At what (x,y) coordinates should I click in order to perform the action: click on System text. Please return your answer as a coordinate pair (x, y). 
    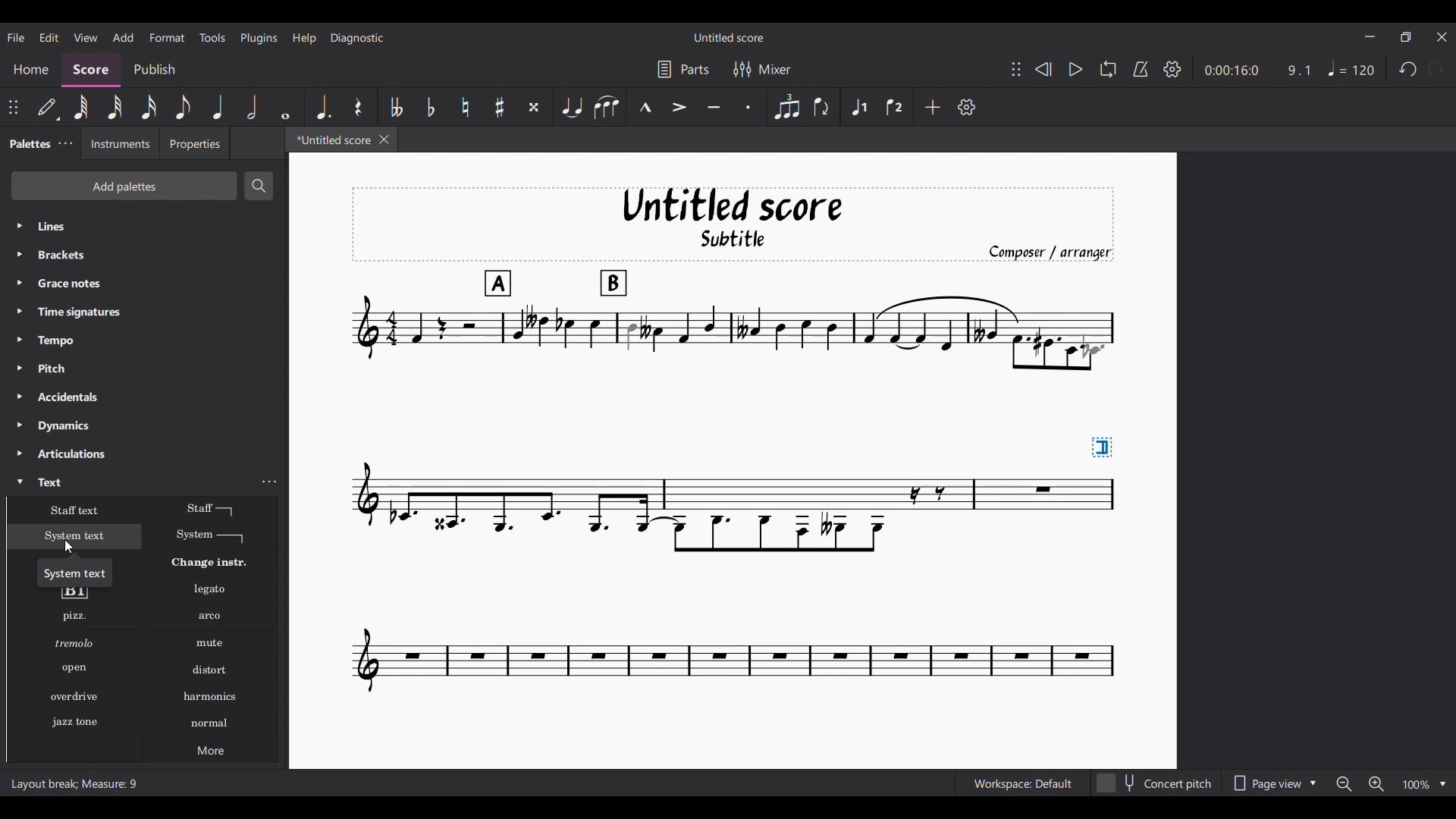
    Looking at the image, I should click on (75, 572).